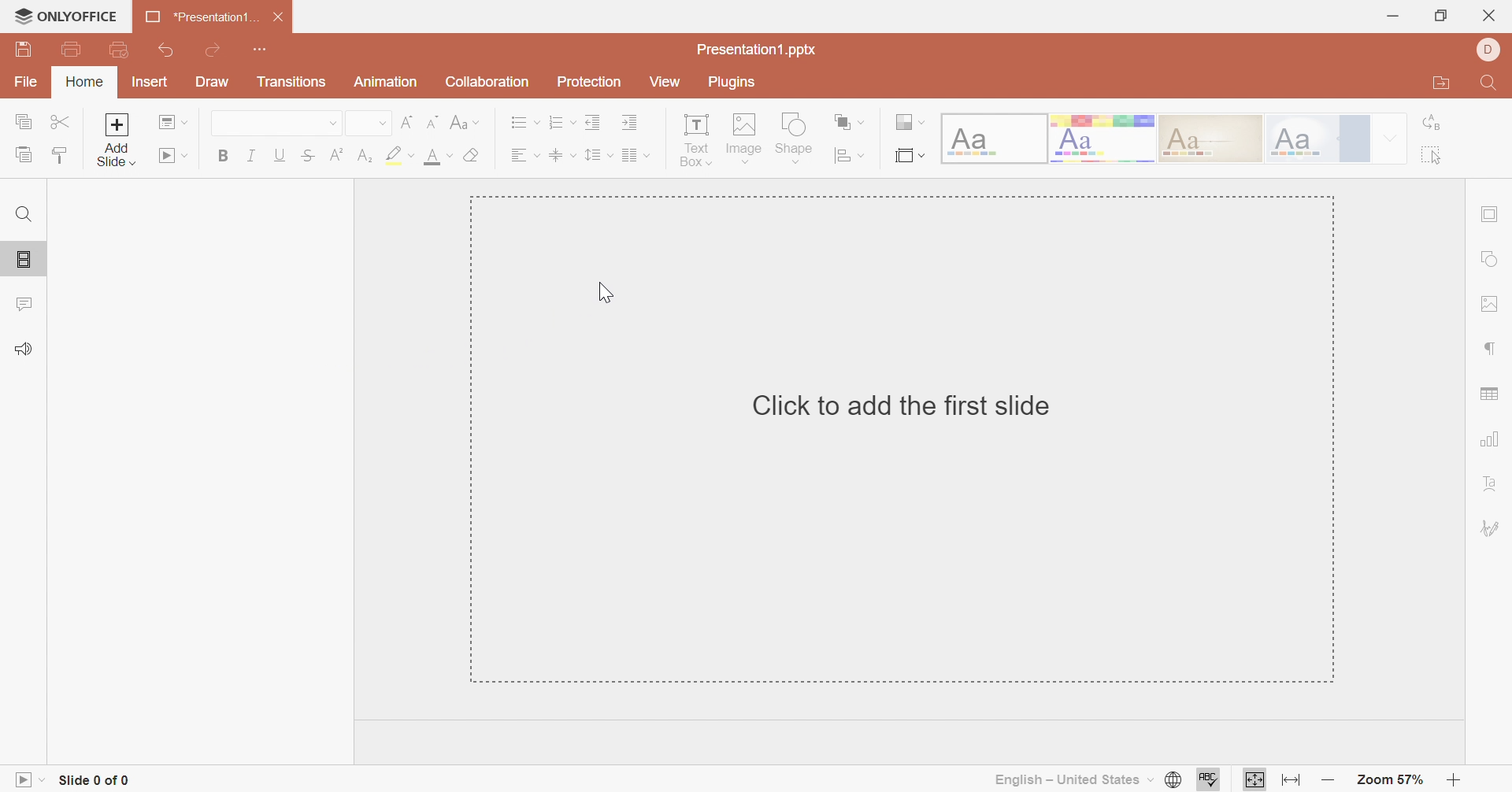 This screenshot has height=792, width=1512. What do you see at coordinates (1390, 16) in the screenshot?
I see `Minimize` at bounding box center [1390, 16].